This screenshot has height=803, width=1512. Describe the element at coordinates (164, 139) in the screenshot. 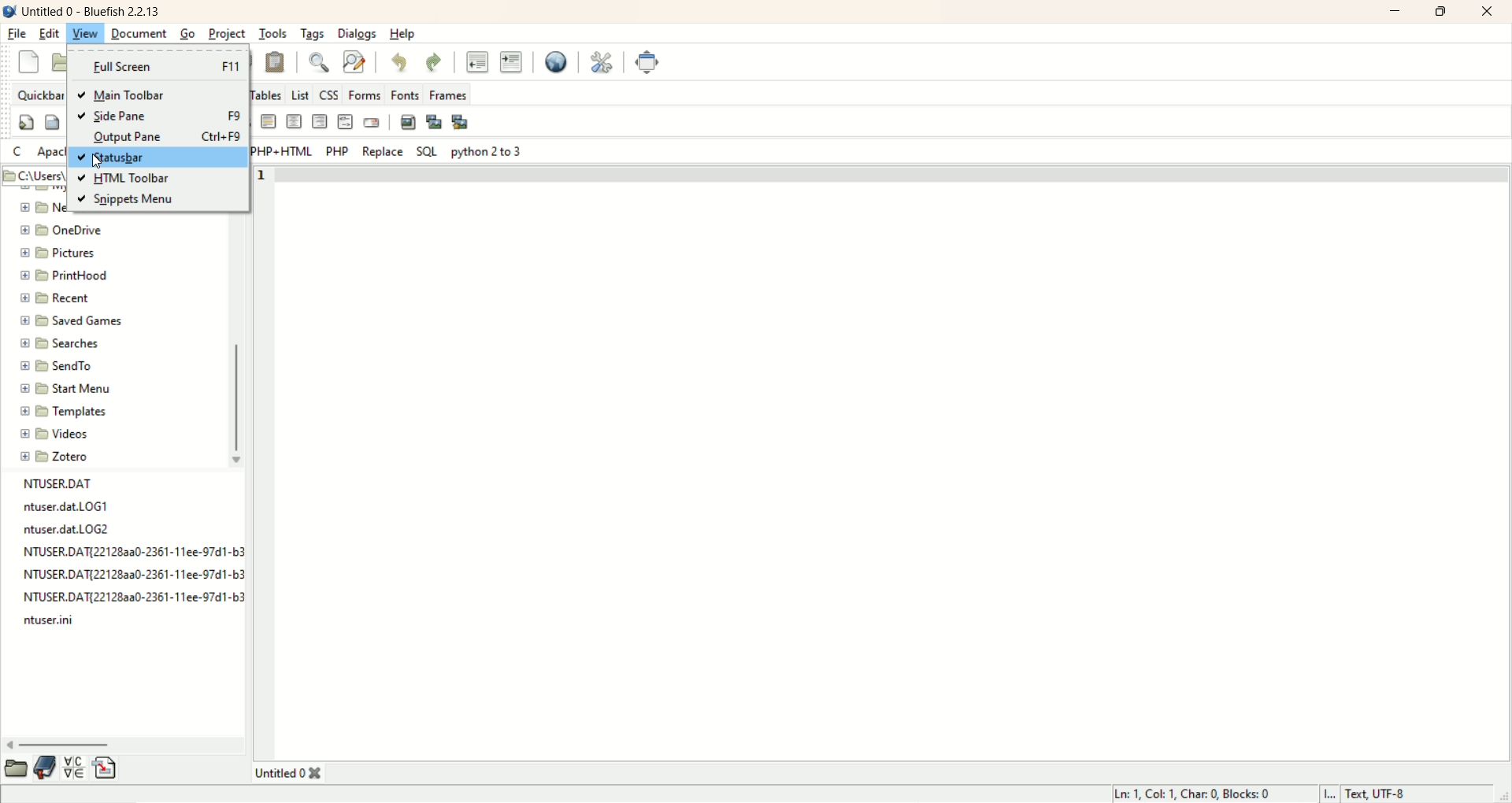

I see `output pane` at that location.